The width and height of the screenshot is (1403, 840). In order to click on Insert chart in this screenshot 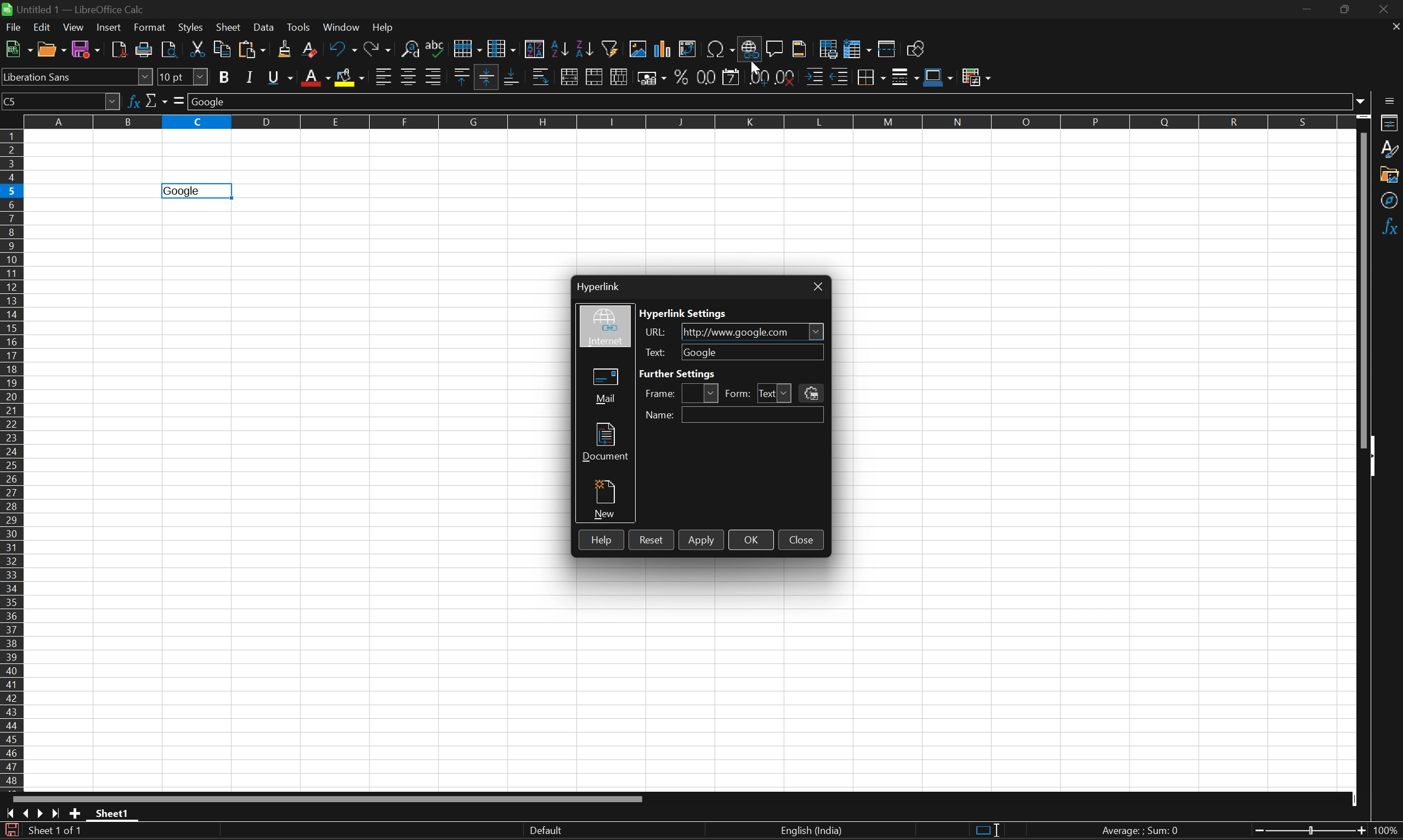, I will do `click(661, 48)`.